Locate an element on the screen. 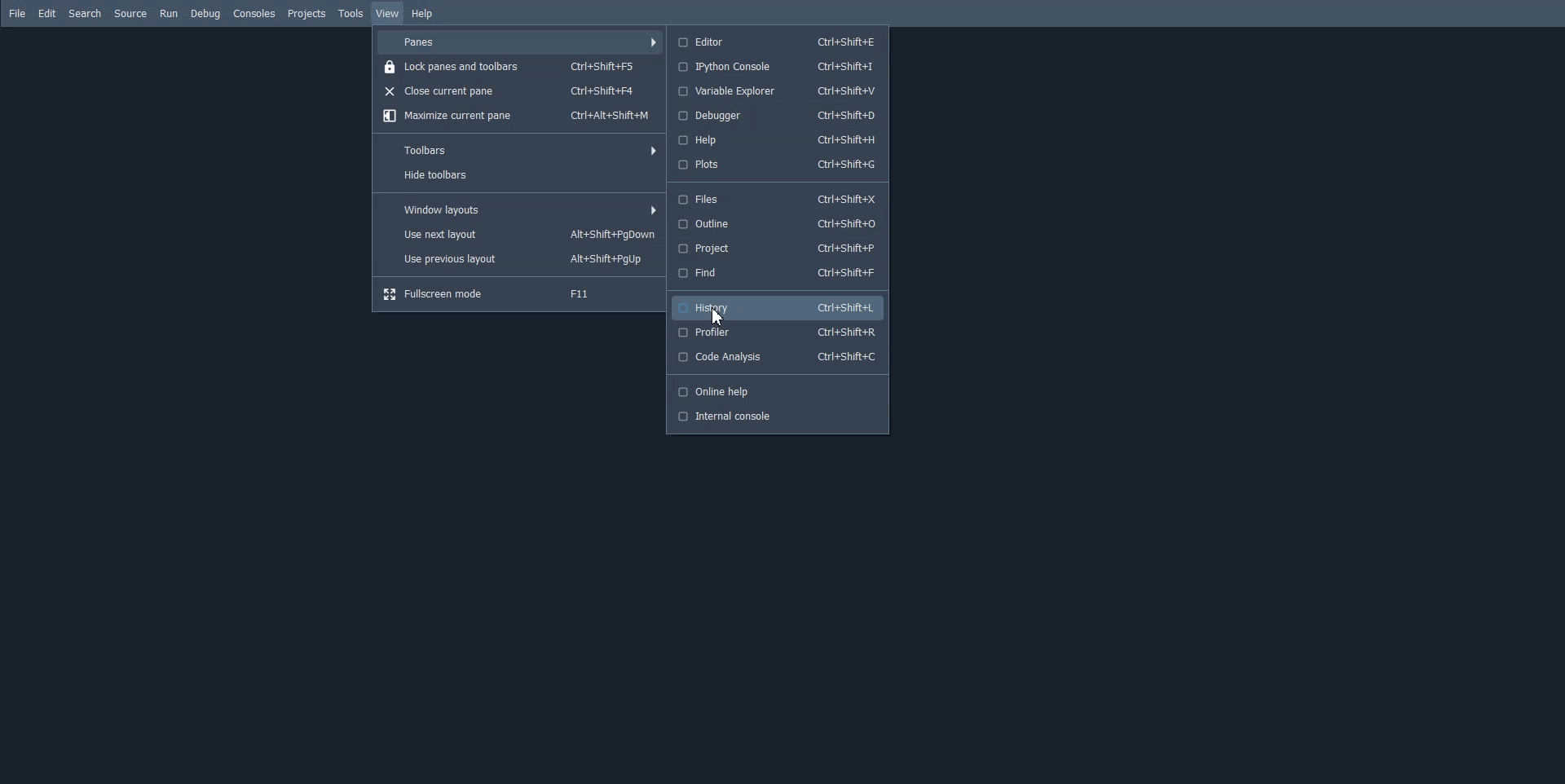 This screenshot has width=1565, height=784. Consoles is located at coordinates (254, 13).